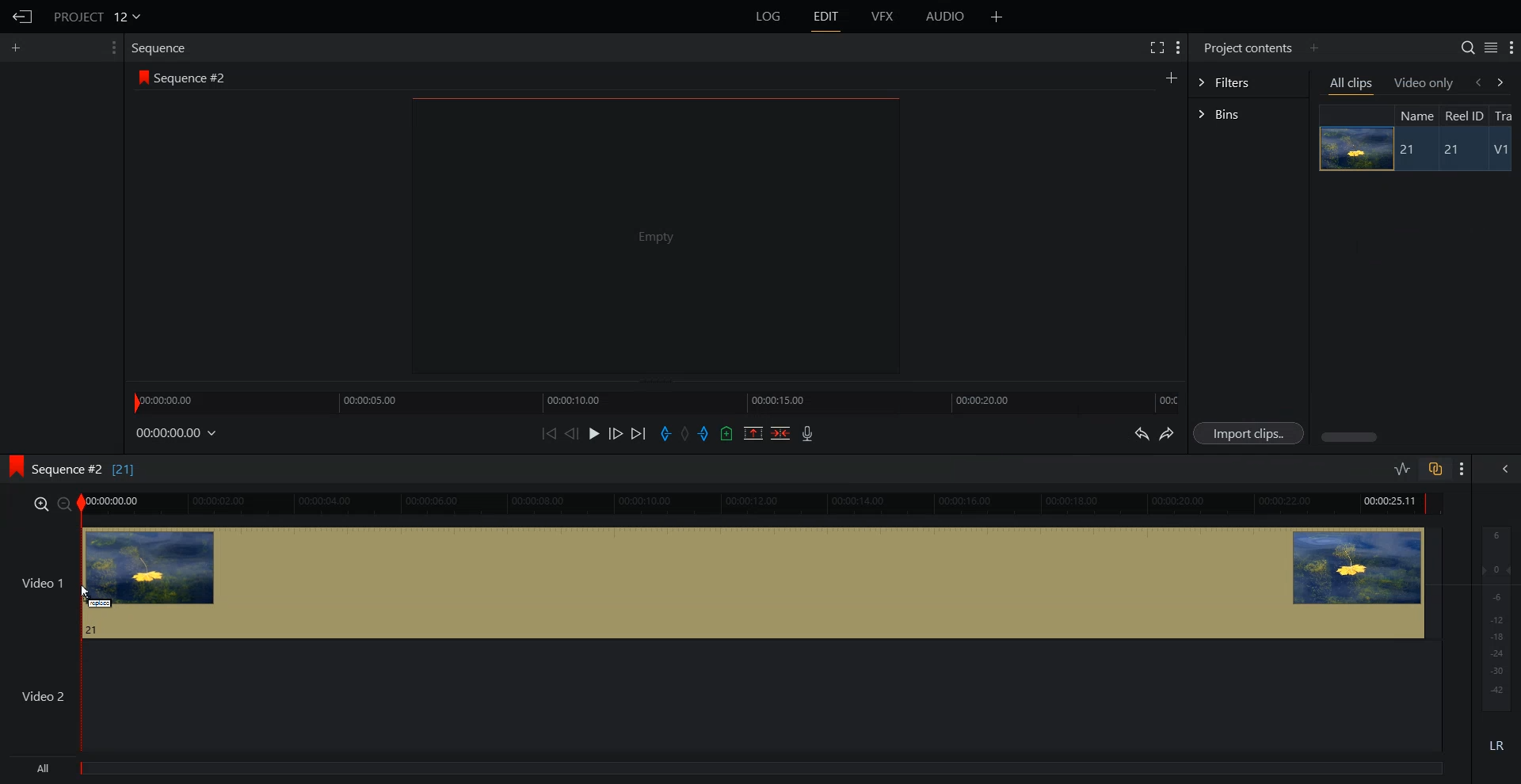  I want to click on logo, so click(13, 468).